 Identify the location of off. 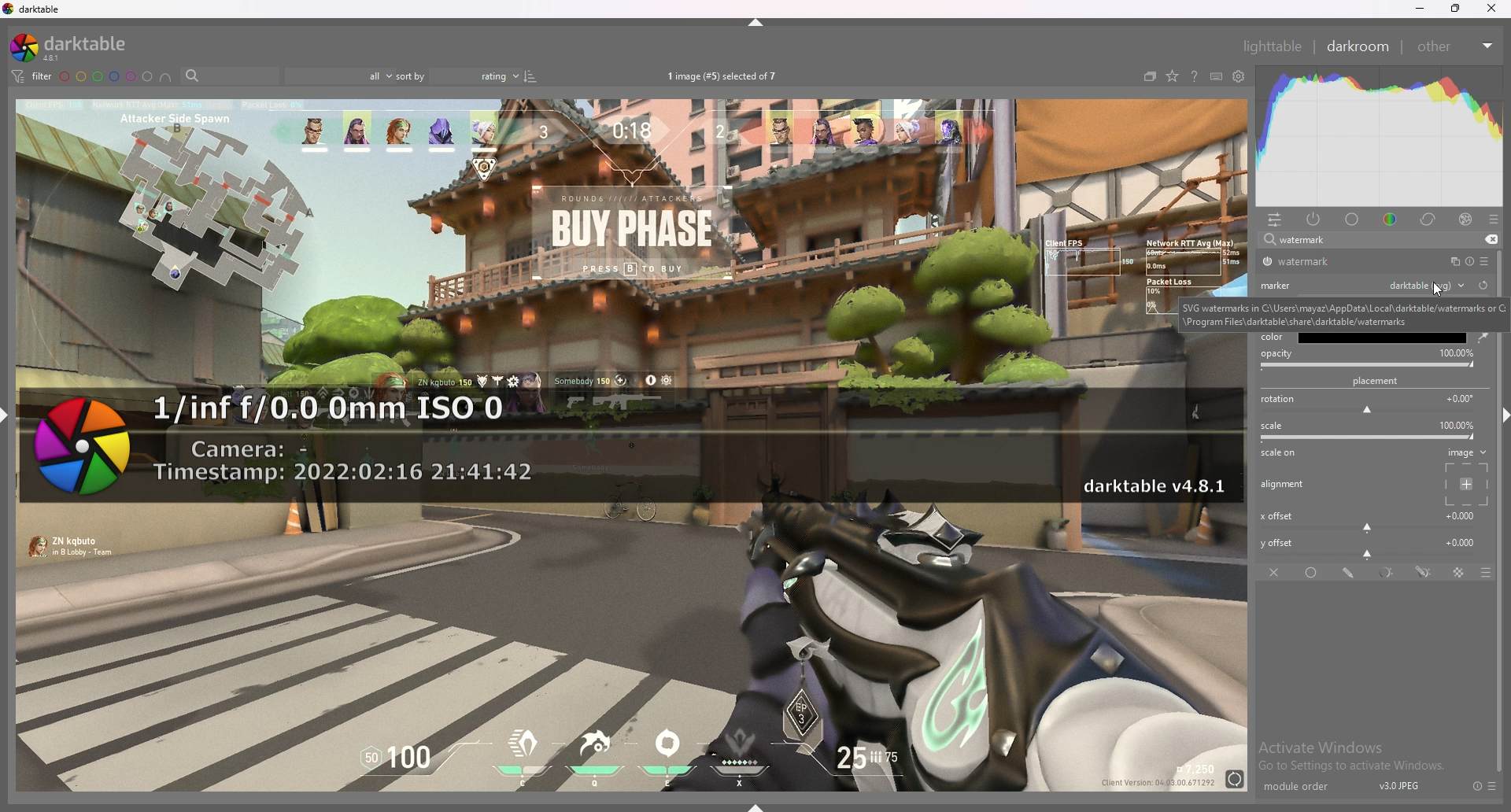
(1276, 572).